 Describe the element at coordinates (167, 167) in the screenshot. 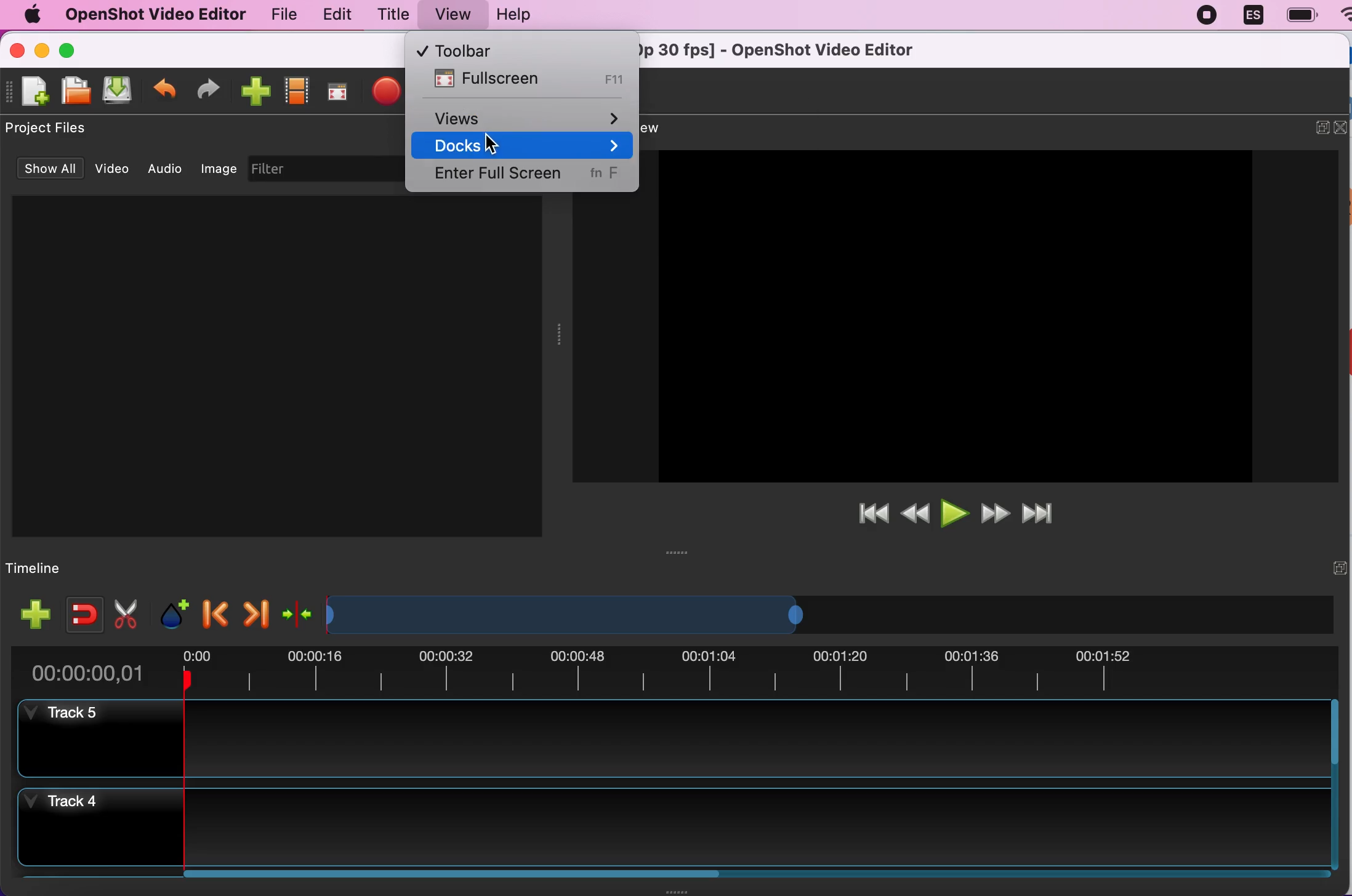

I see `audio` at that location.